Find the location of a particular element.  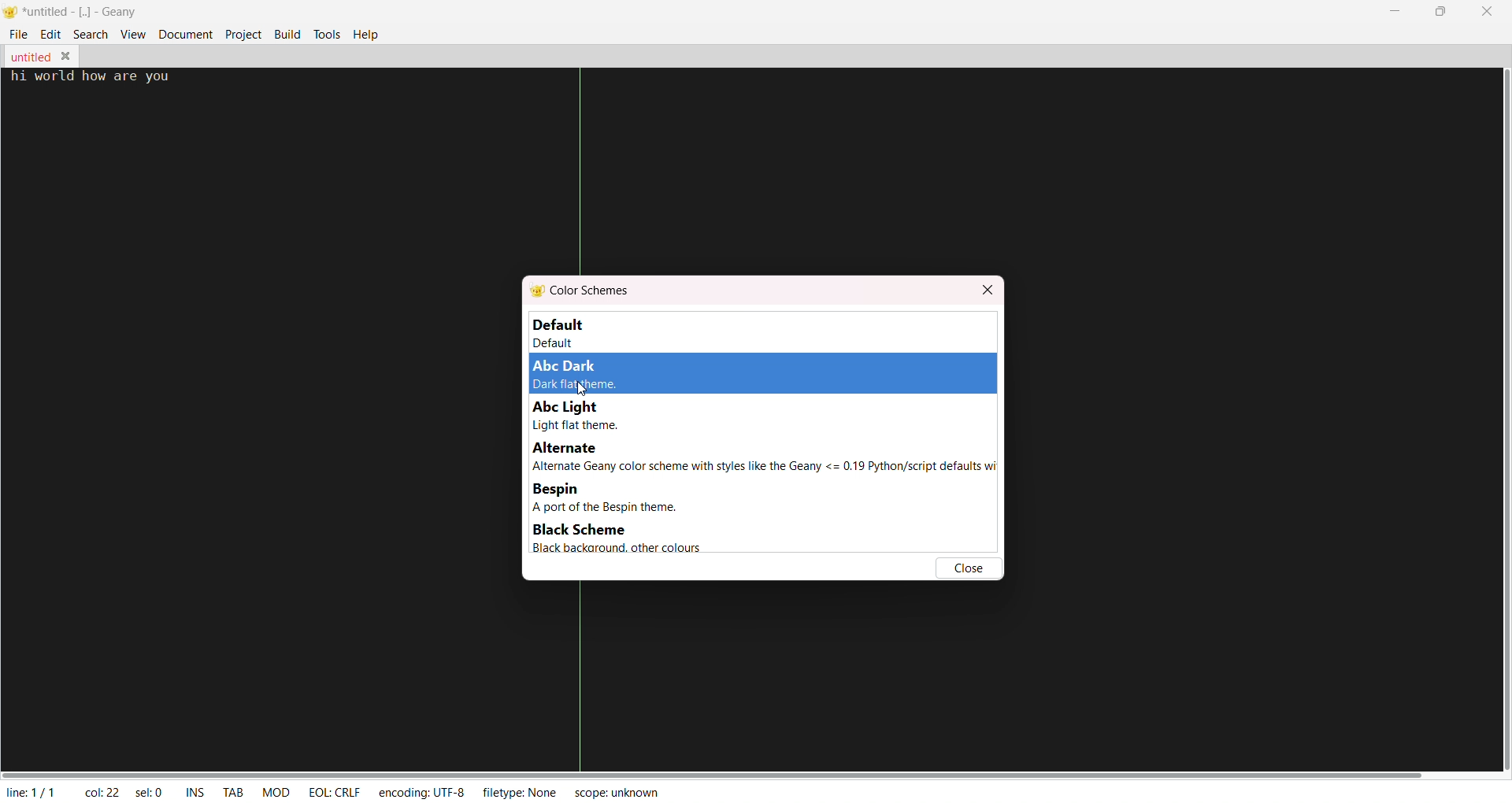

verical scroll bar is located at coordinates (1502, 420).